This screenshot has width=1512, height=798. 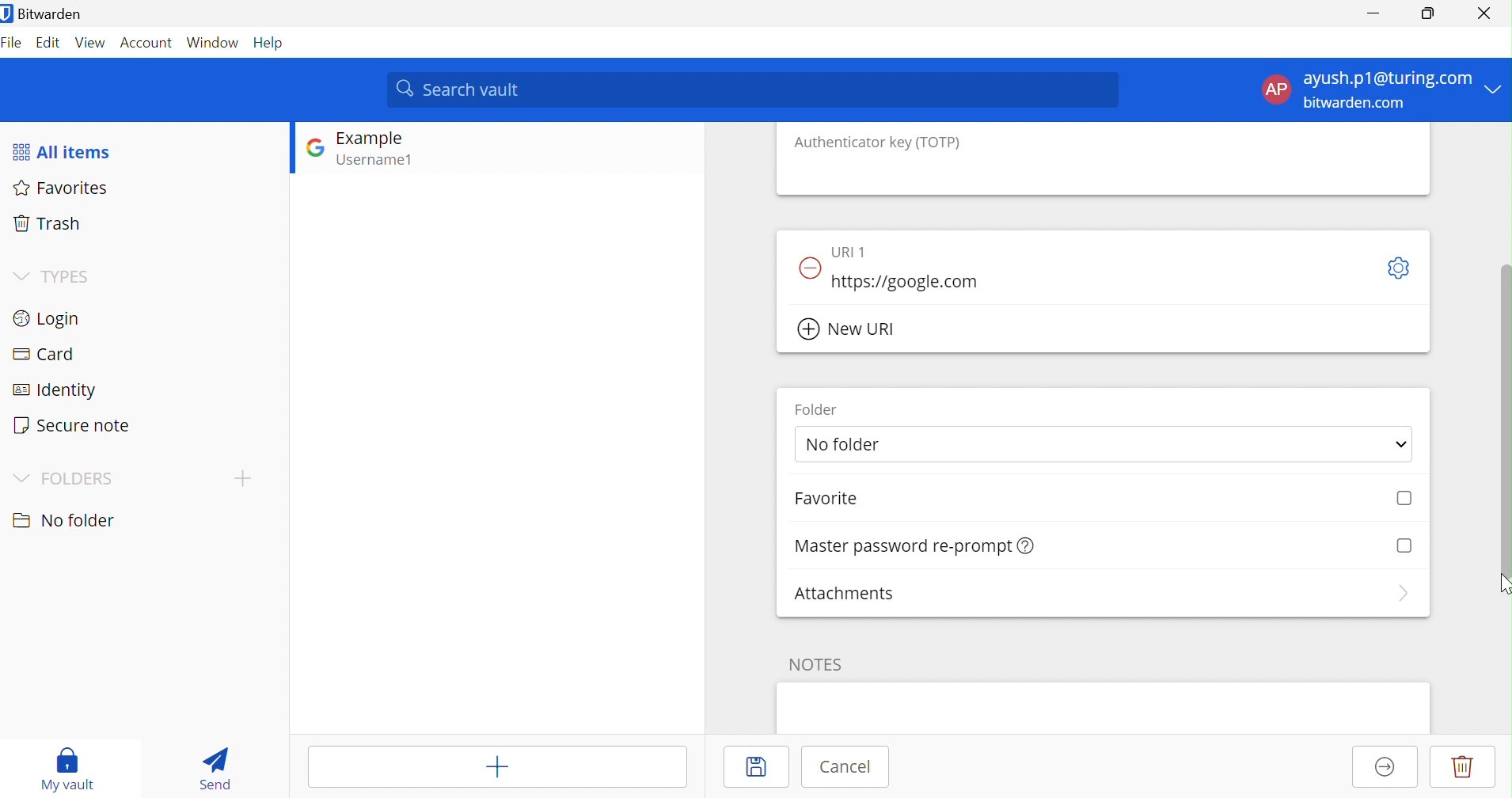 What do you see at coordinates (911, 282) in the screenshot?
I see `https://google.com` at bounding box center [911, 282].